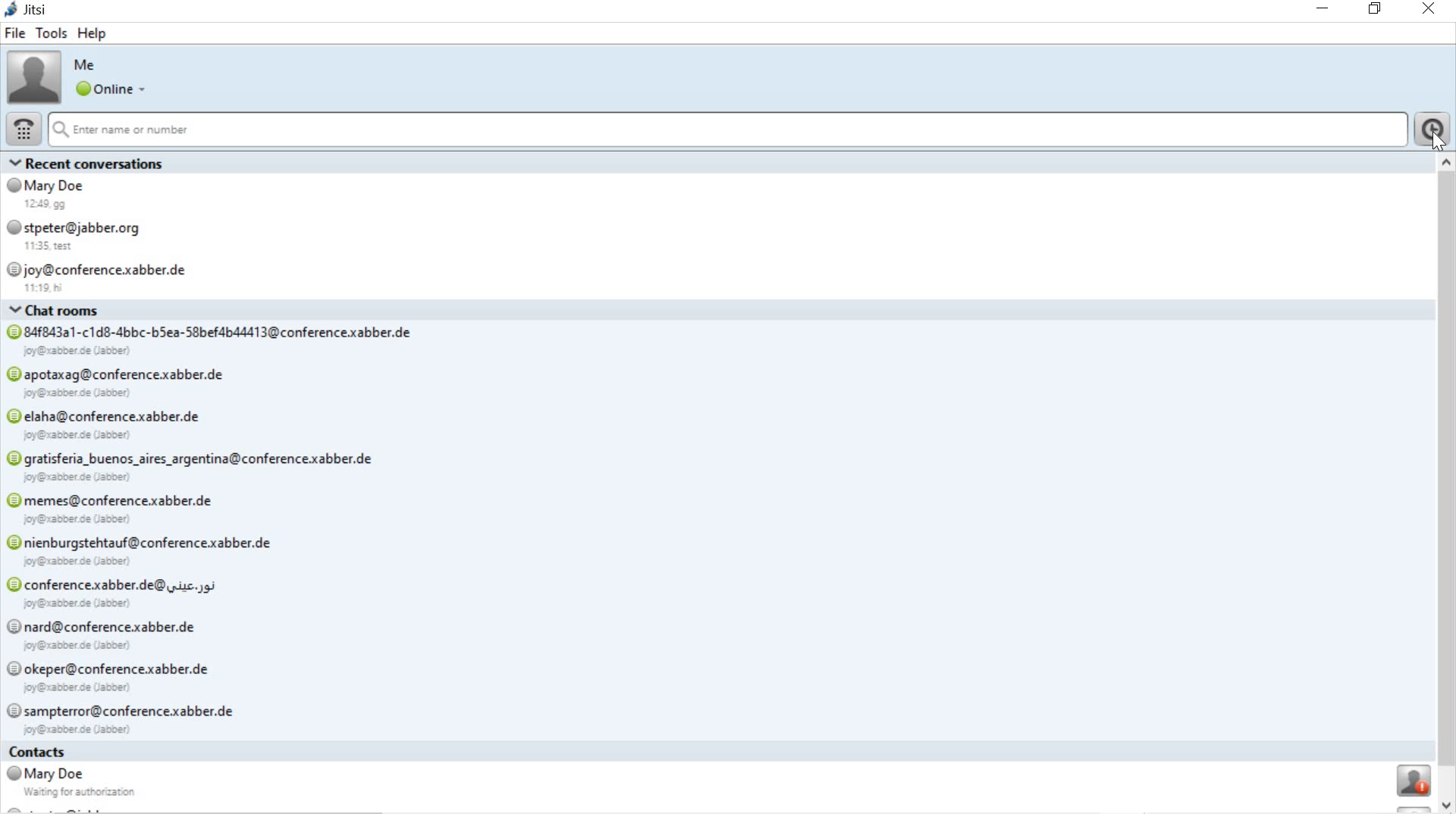  I want to click on recent conversations, so click(718, 224).